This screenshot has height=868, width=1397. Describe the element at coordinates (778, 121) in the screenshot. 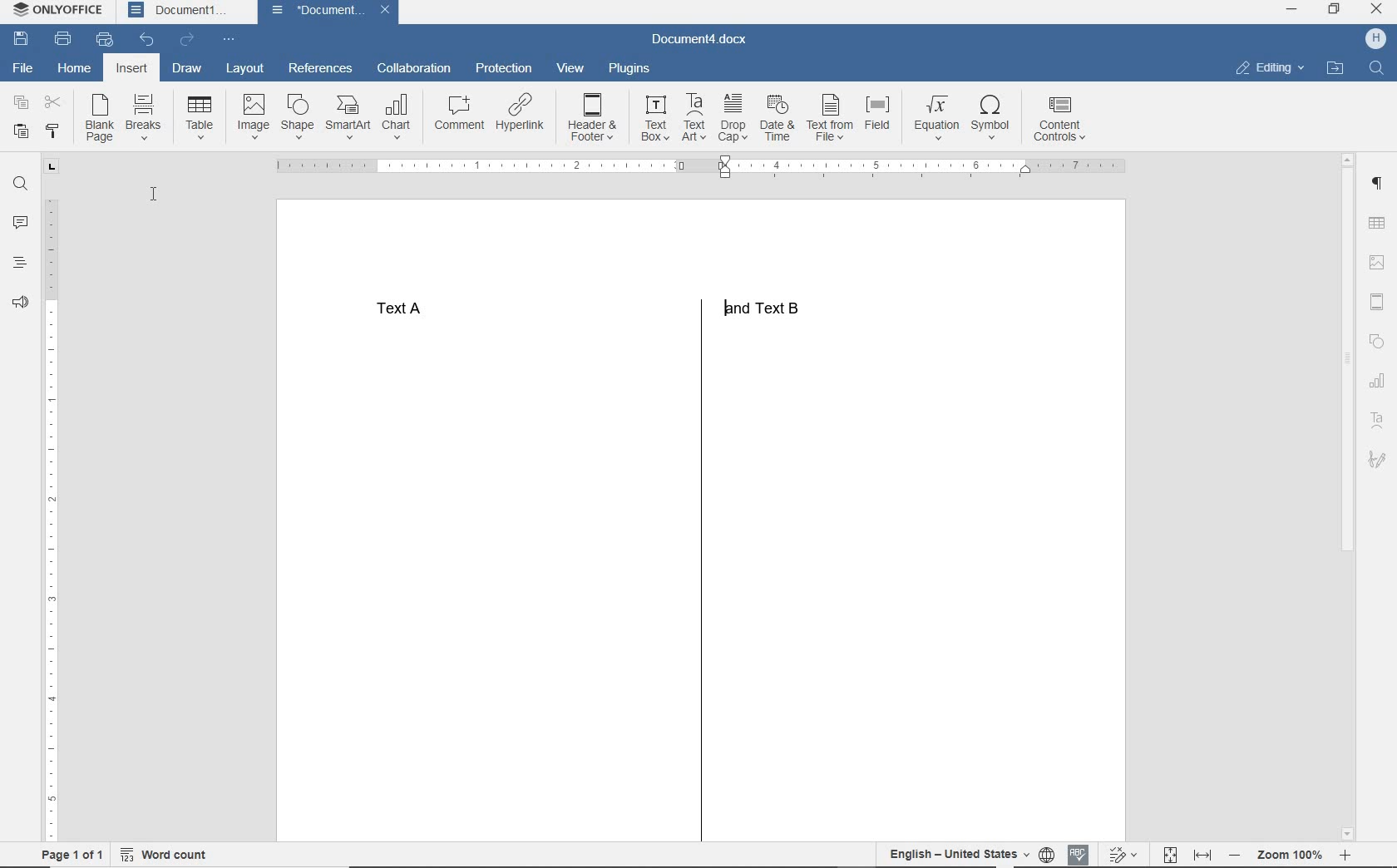

I see `DATE & TIME` at that location.